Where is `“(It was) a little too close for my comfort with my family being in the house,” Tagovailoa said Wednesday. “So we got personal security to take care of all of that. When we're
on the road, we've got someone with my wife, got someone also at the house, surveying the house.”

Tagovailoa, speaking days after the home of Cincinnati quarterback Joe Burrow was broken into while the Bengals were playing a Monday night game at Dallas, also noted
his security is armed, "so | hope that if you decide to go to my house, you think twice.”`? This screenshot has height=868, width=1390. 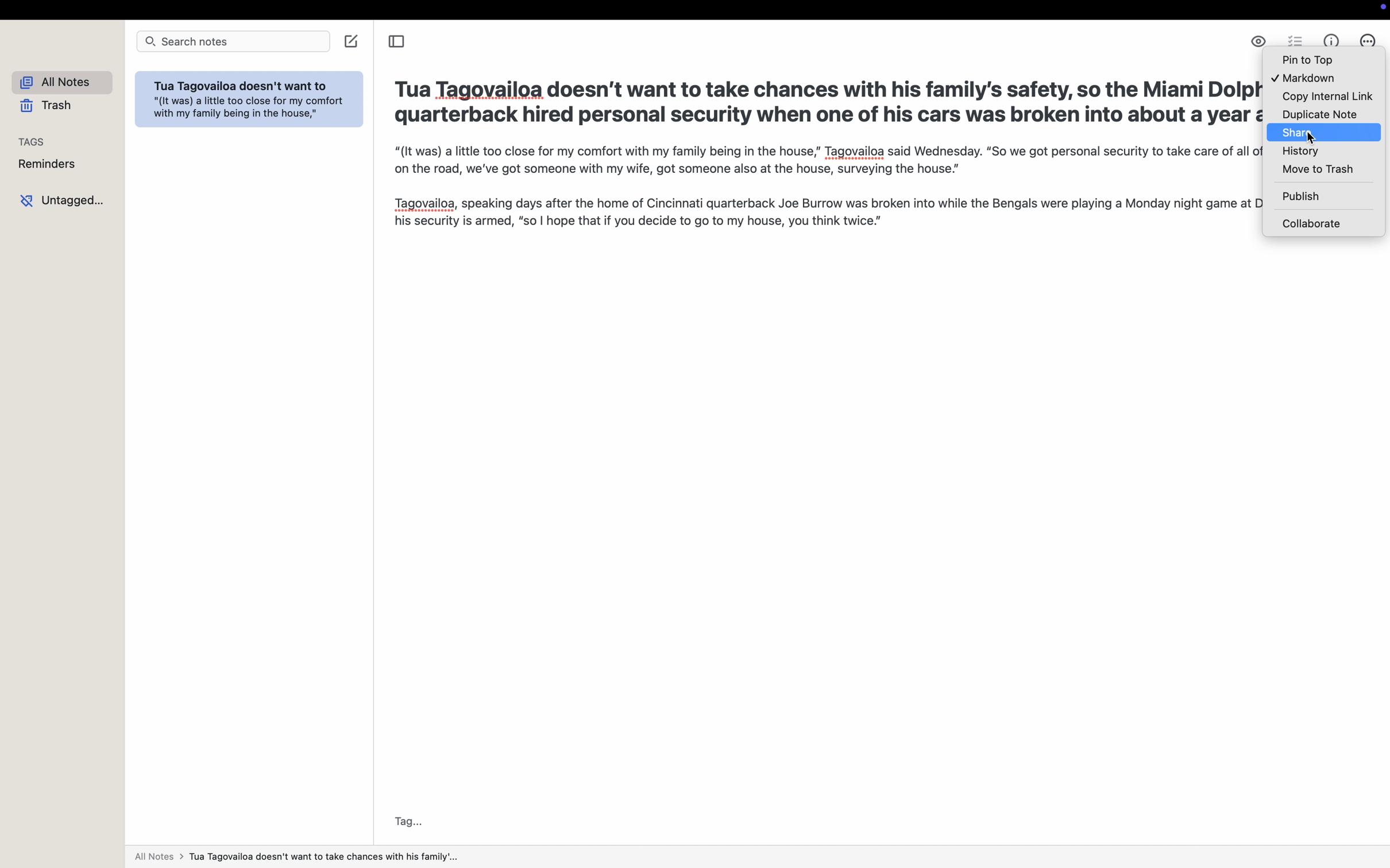 “(It was) a little too close for my comfort with my family being in the house,” Tagovailoa said Wednesday. “So we got personal security to take care of all of that. When we're
on the road, we've got someone with my wife, got someone also at the house, surveying the house.”

Tagovailoa, speaking days after the home of Cincinnati quarterback Joe Burrow was broken into while the Bengals were playing a Monday night game at Dallas, also noted
his security is armed, "so | hope that if you decide to go to my house, you think twice.” is located at coordinates (817, 186).